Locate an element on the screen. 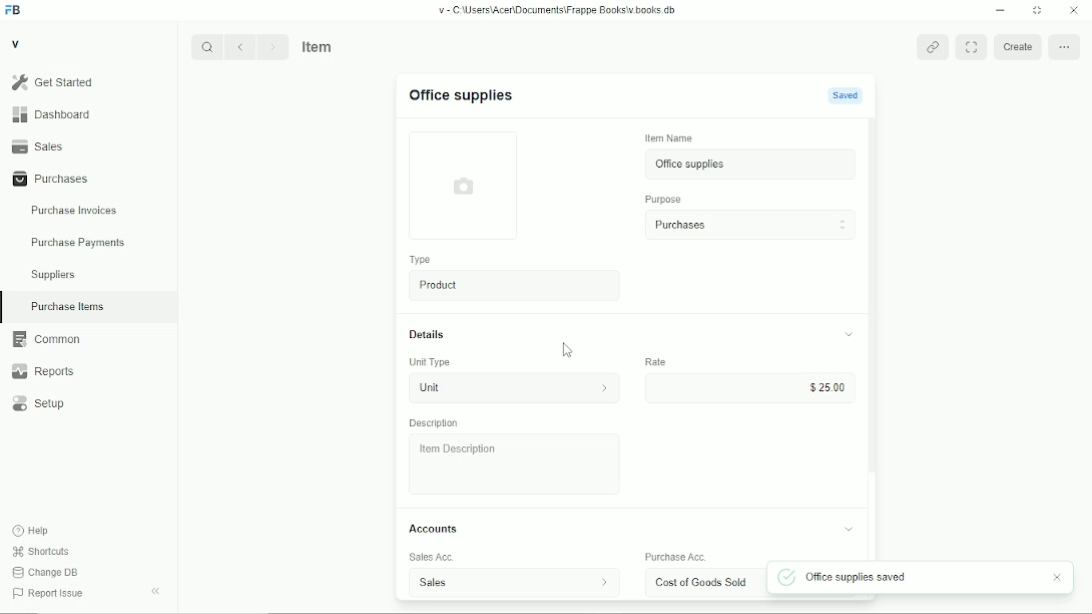  toggle sidebar is located at coordinates (157, 591).